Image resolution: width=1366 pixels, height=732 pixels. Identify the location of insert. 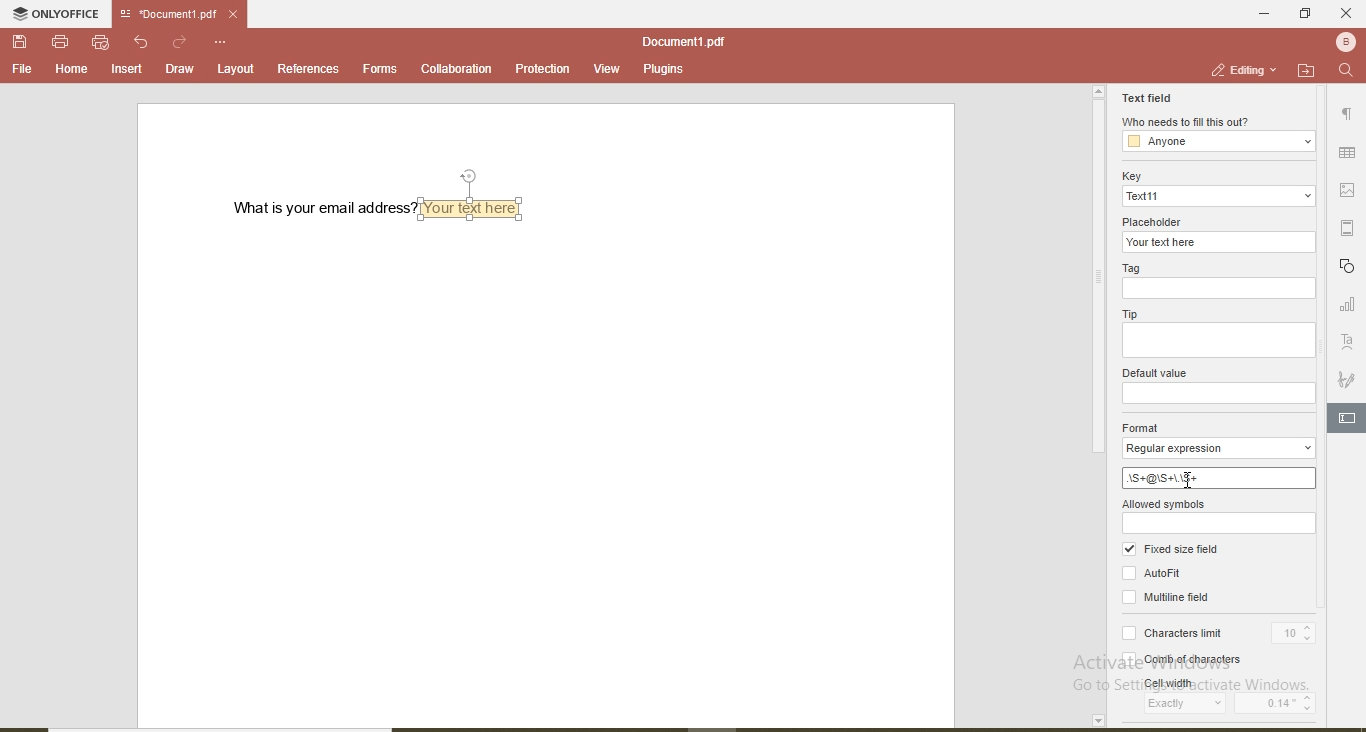
(128, 70).